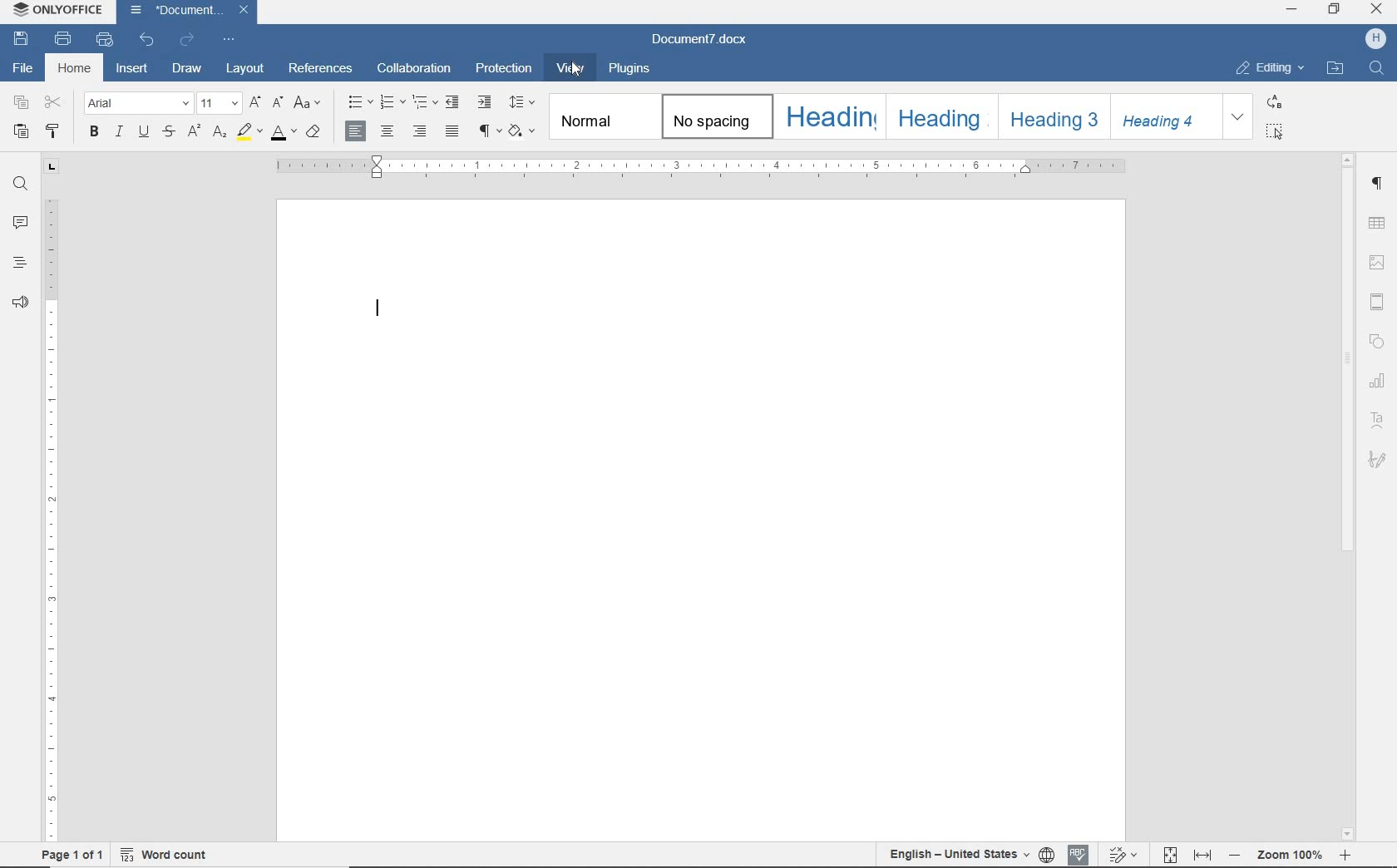 The height and width of the screenshot is (868, 1397). Describe the element at coordinates (488, 131) in the screenshot. I see `NONPRINTING CARACTERS` at that location.